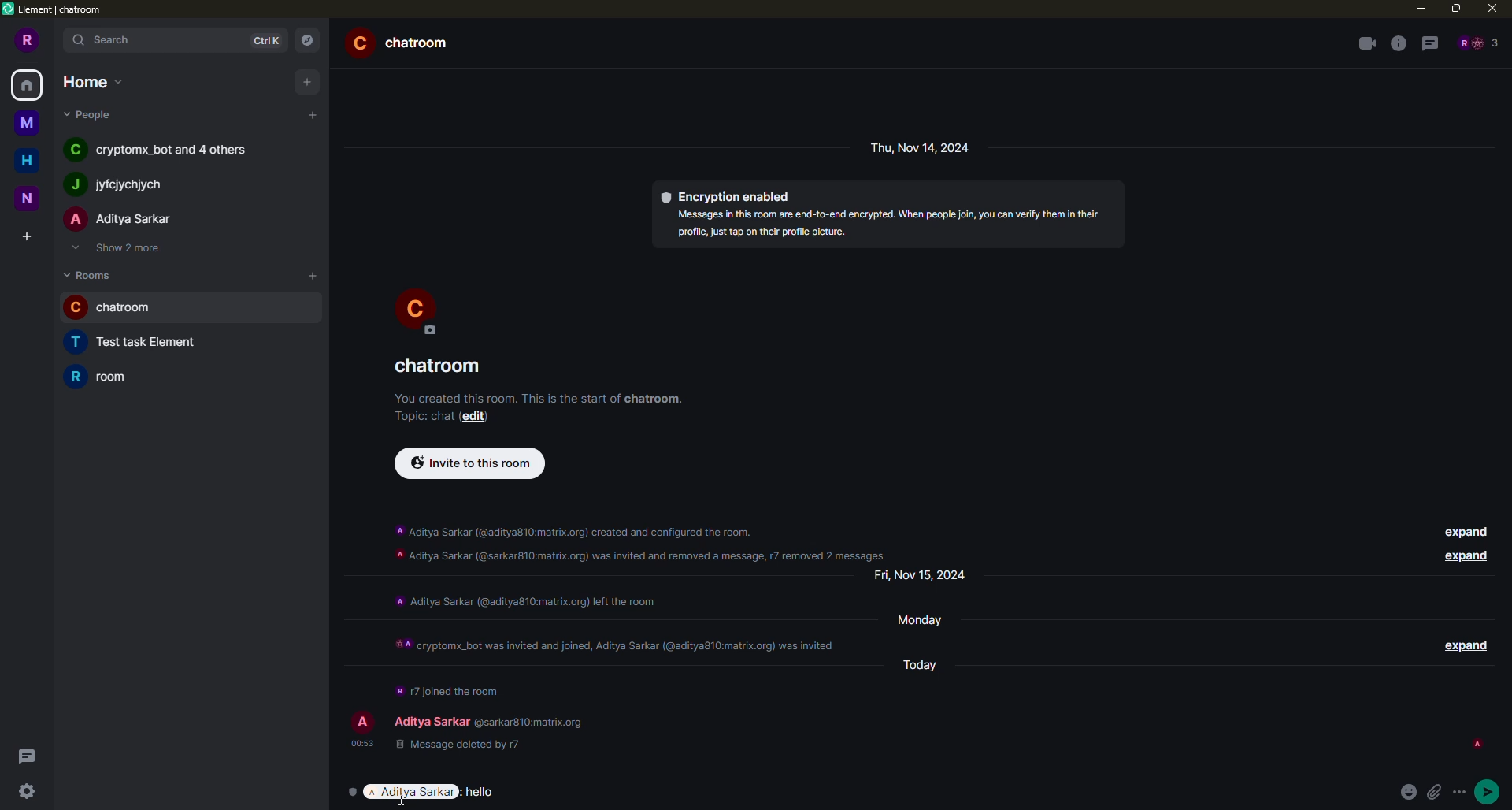 The image size is (1512, 810). I want to click on day, so click(924, 147).